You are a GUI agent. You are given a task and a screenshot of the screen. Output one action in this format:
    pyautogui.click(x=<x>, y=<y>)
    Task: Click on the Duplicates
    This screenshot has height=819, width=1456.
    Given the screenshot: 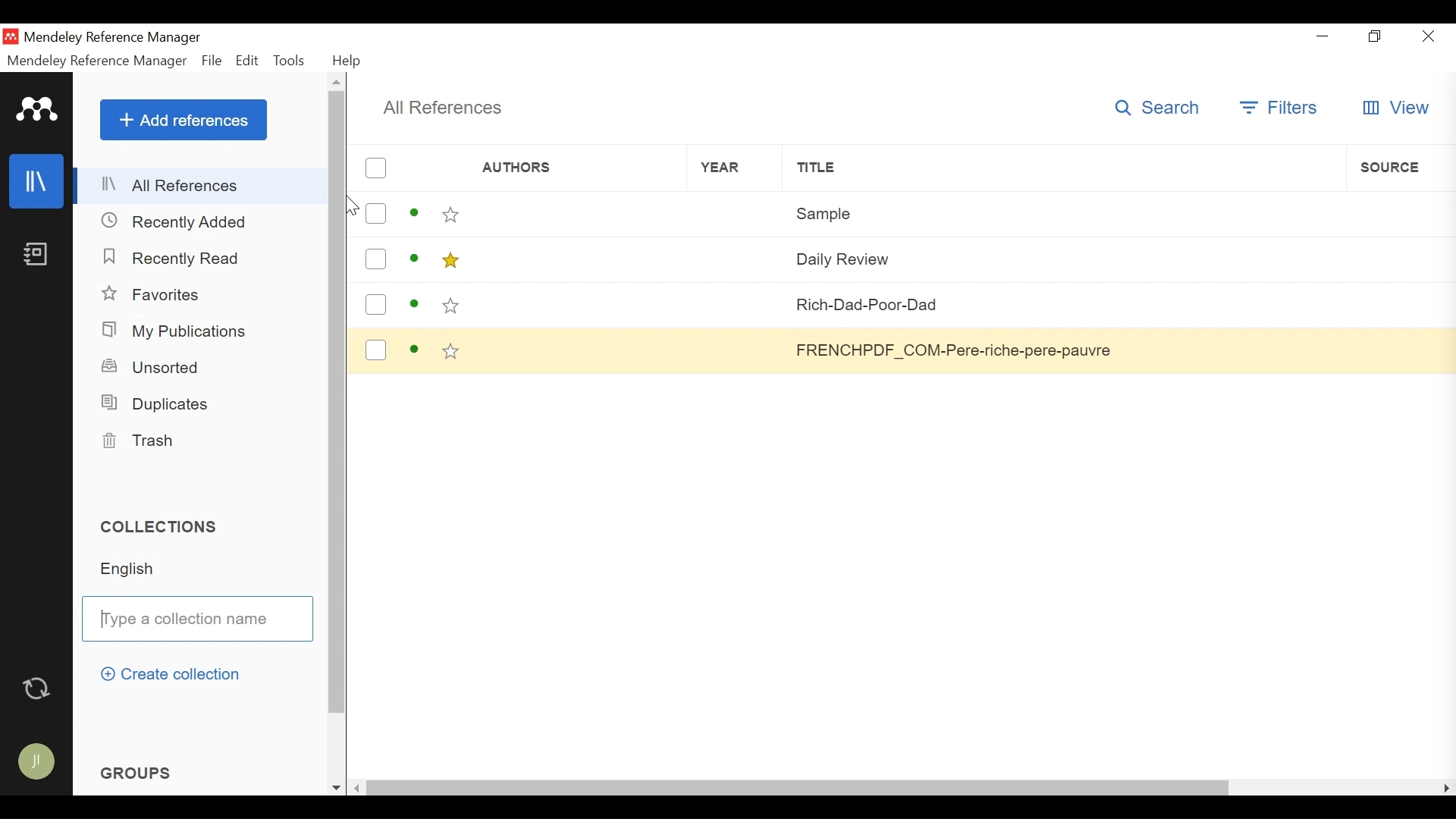 What is the action you would take?
    pyautogui.click(x=154, y=403)
    